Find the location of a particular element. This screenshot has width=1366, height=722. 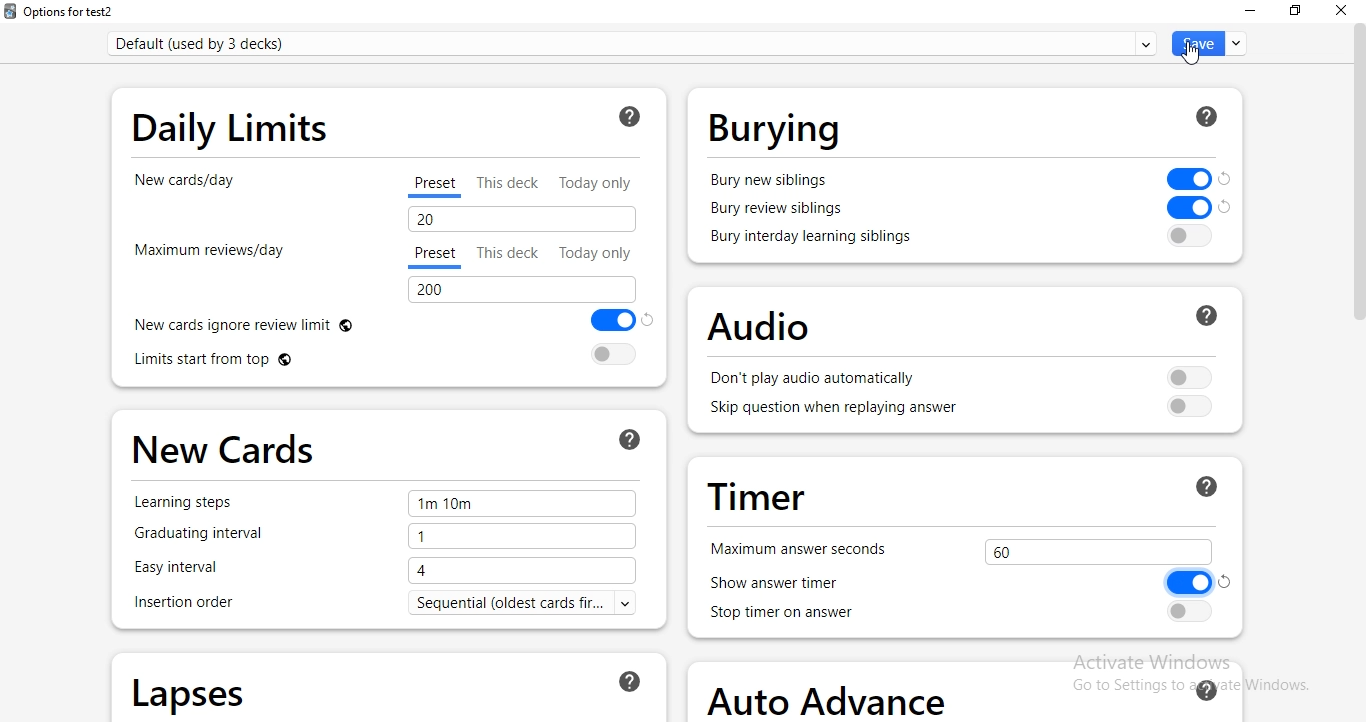

default (used by 3 decks) is located at coordinates (639, 39).